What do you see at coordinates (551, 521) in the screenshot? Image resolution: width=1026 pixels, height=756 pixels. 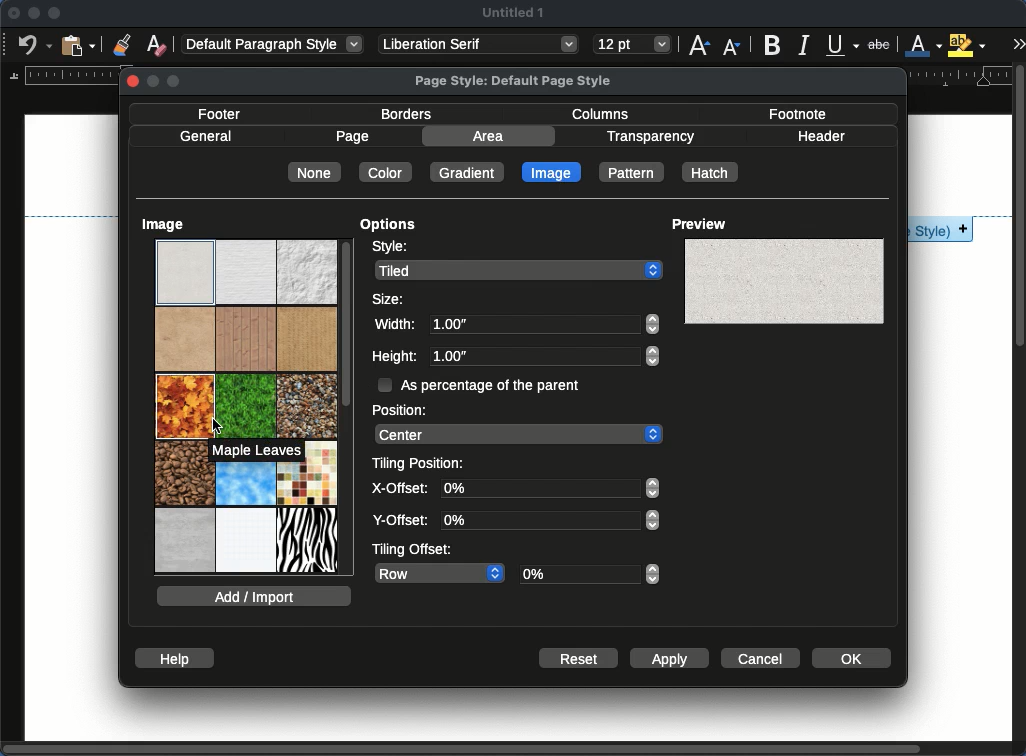 I see `0%` at bounding box center [551, 521].